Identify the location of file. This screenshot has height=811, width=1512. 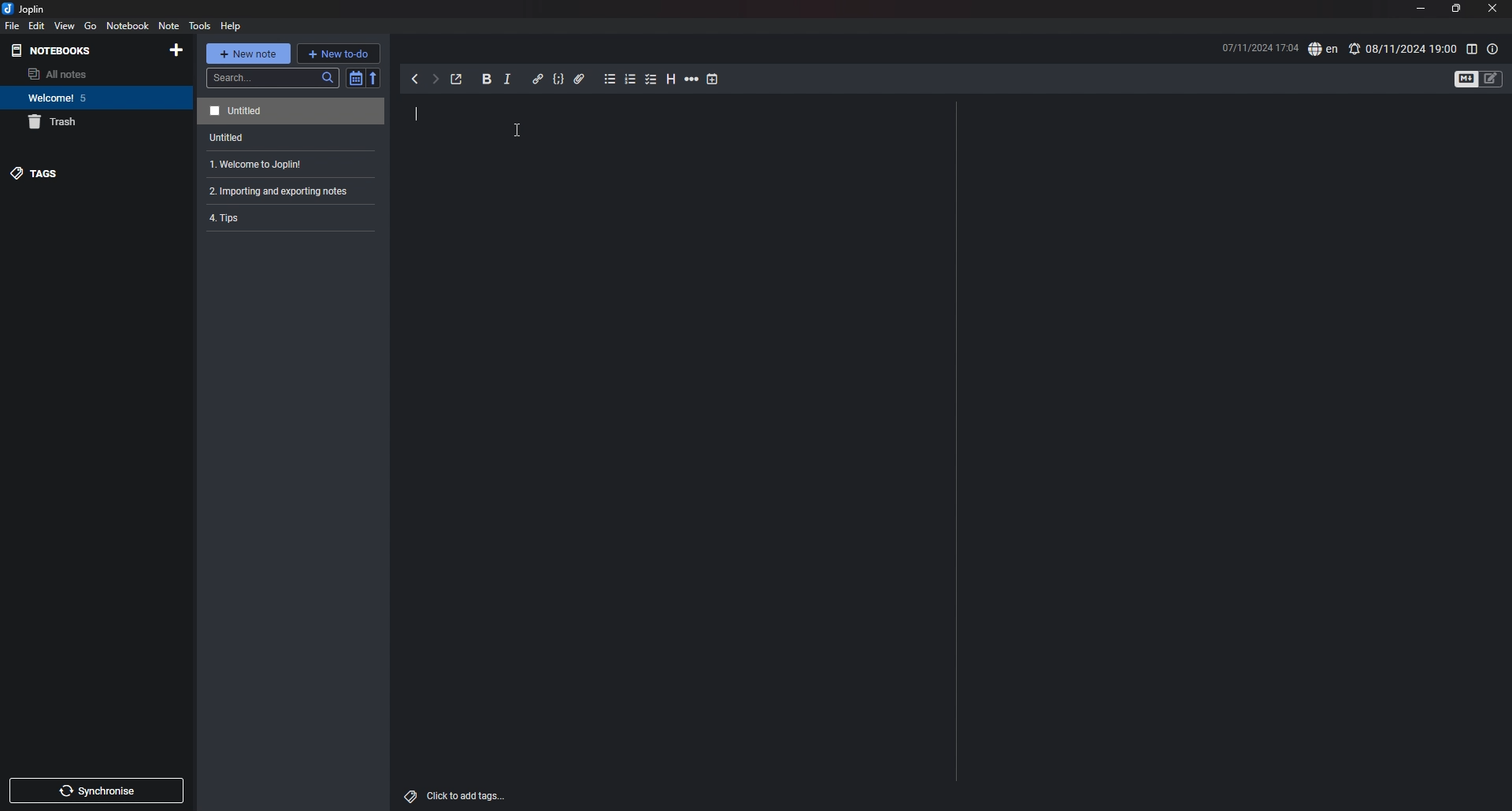
(12, 26).